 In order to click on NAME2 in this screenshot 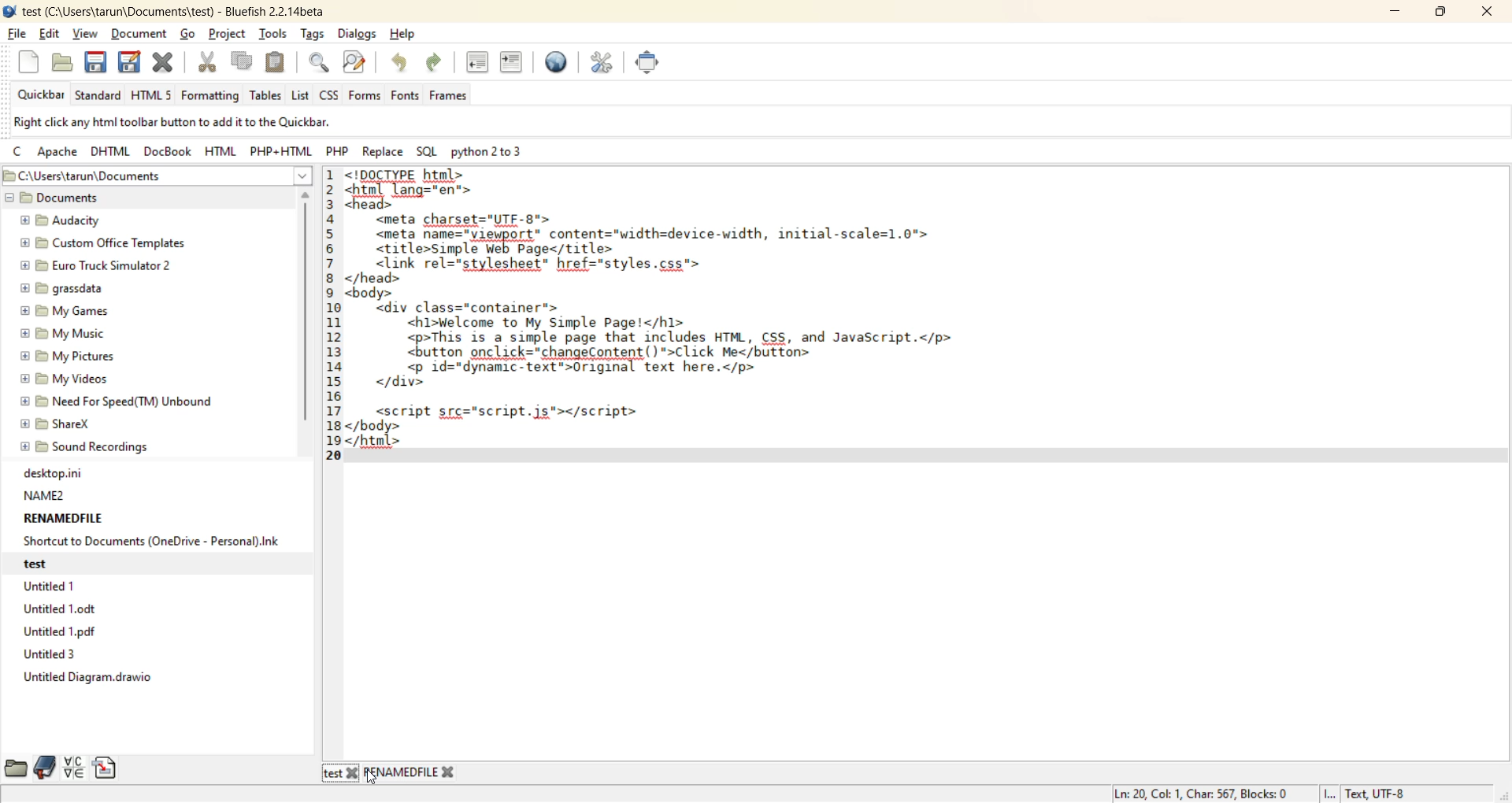, I will do `click(46, 492)`.